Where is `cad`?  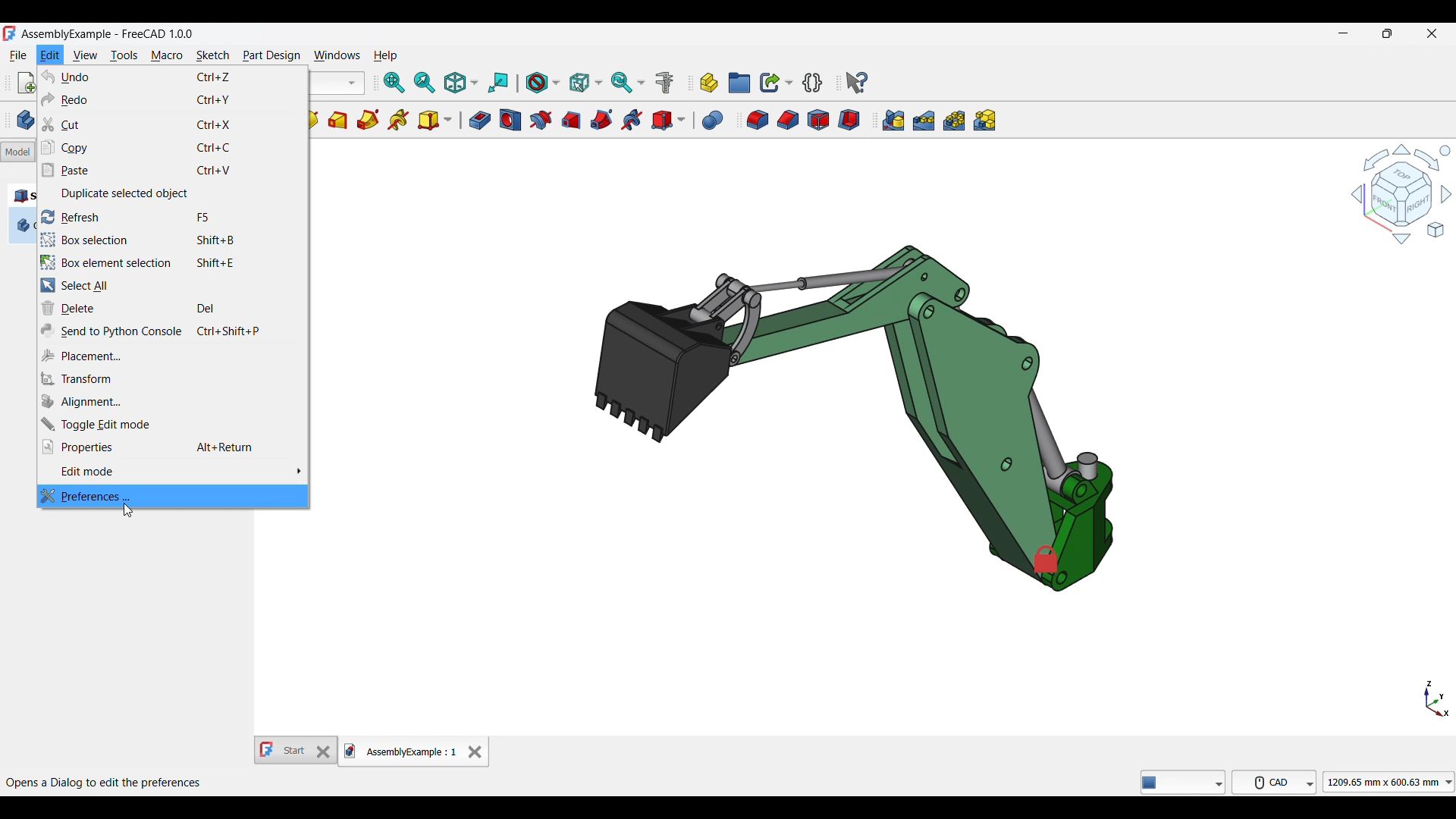
cad is located at coordinates (1275, 782).